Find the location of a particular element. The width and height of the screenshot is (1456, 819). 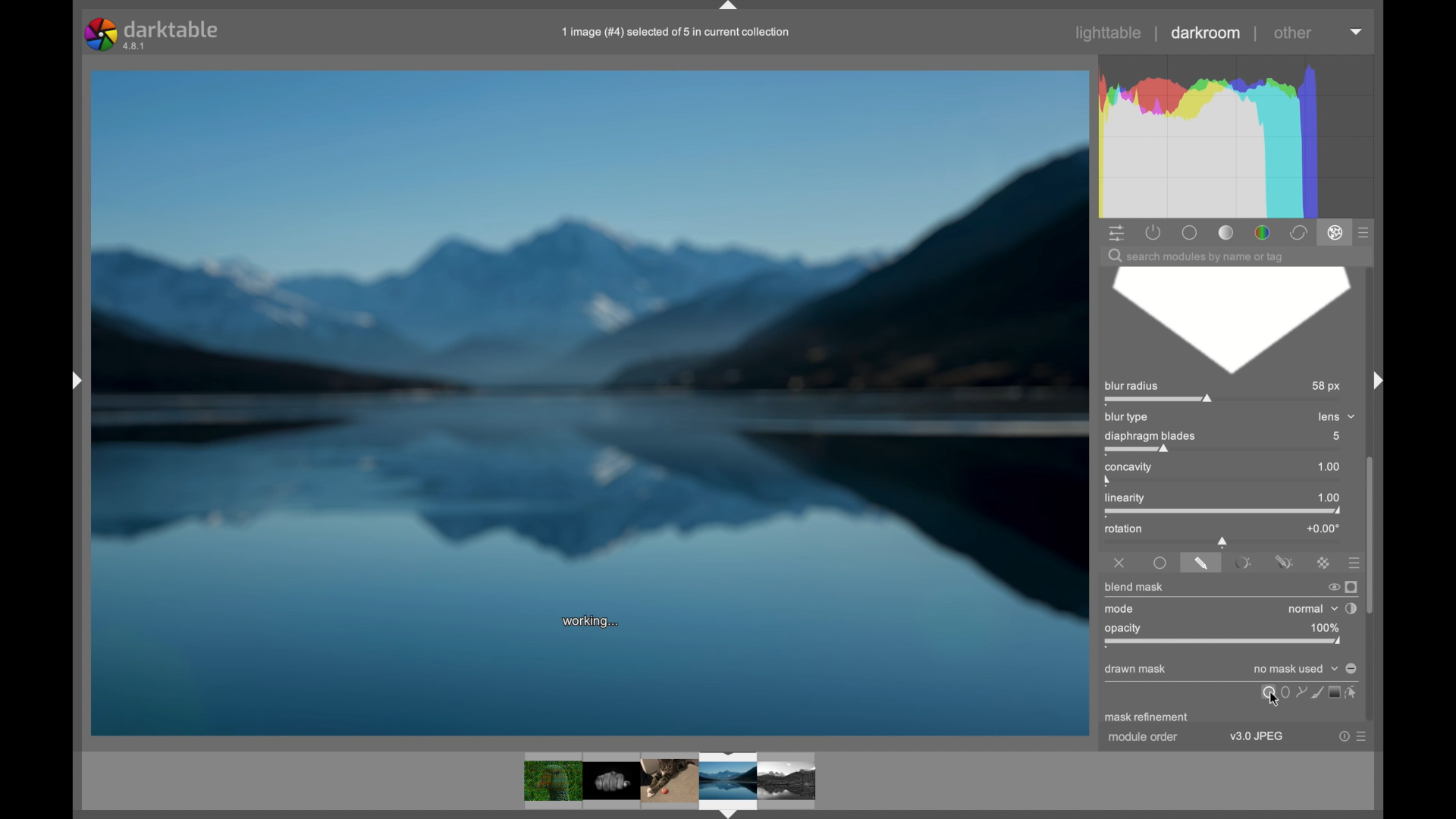

1 image (#4) selected of 5 in current collection is located at coordinates (673, 30).